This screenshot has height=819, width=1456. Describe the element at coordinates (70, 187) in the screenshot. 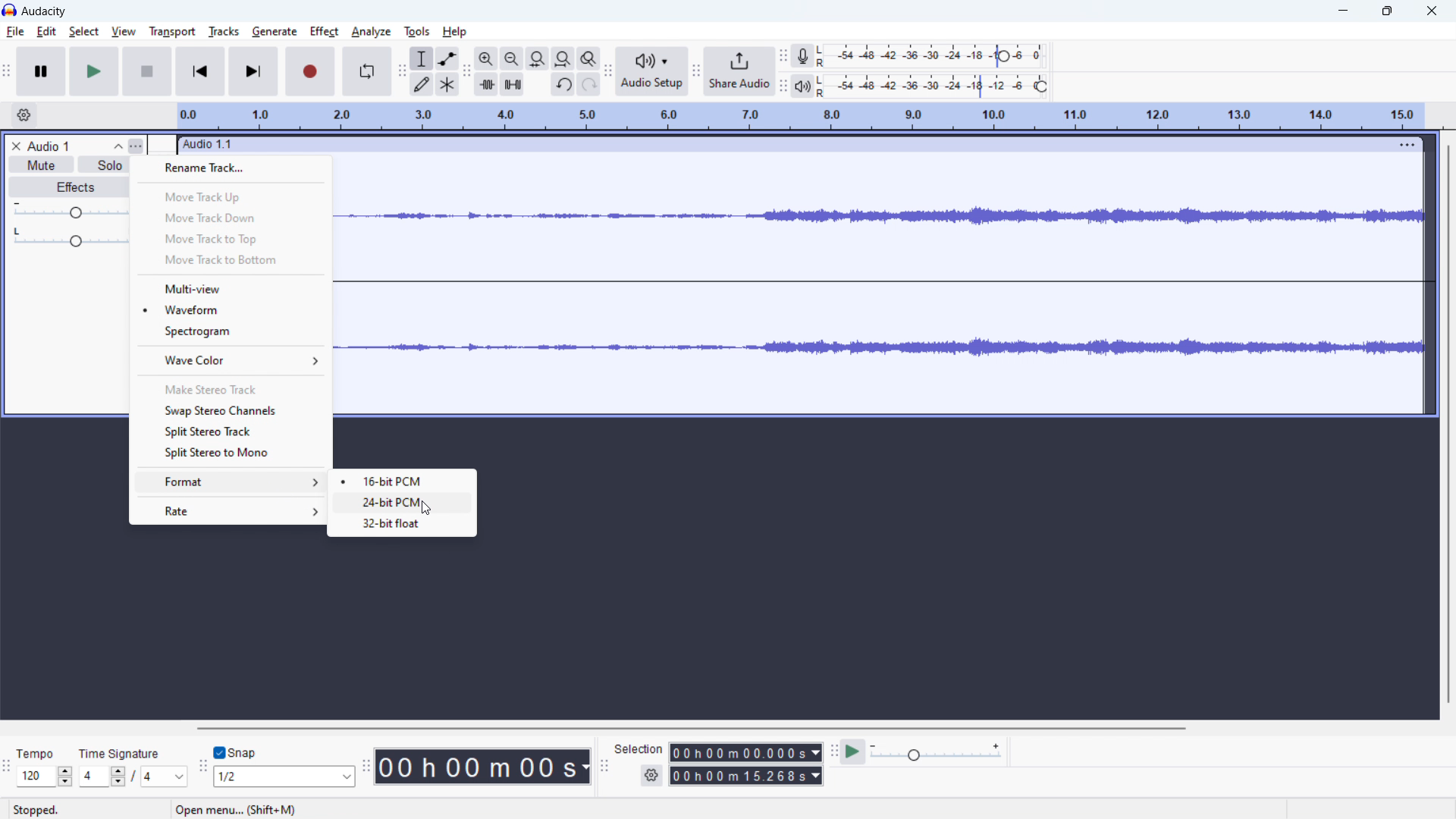

I see `effects` at that location.